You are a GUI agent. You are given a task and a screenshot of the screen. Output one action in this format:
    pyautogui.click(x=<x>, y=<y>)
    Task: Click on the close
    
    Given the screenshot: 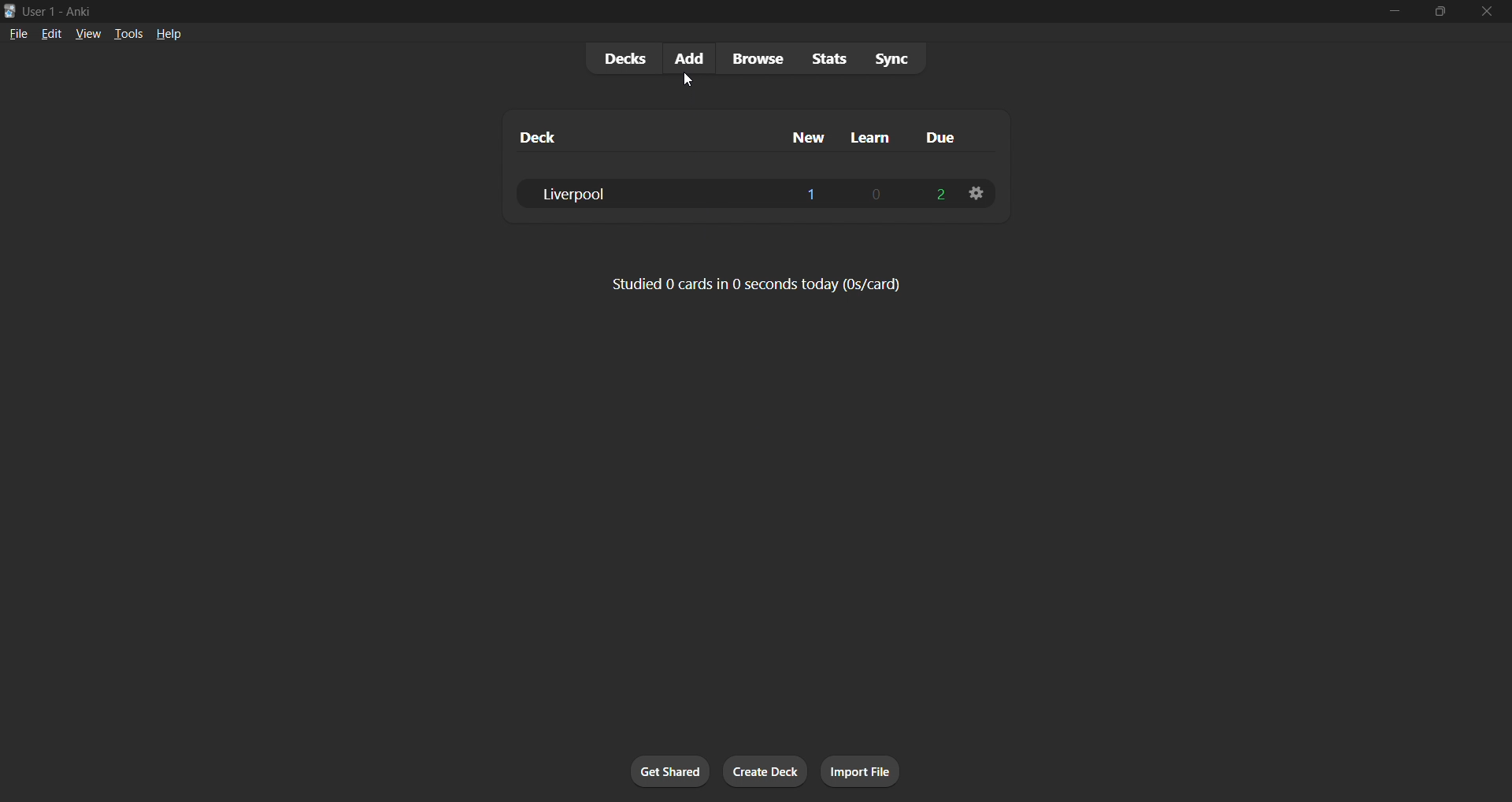 What is the action you would take?
    pyautogui.click(x=1488, y=9)
    